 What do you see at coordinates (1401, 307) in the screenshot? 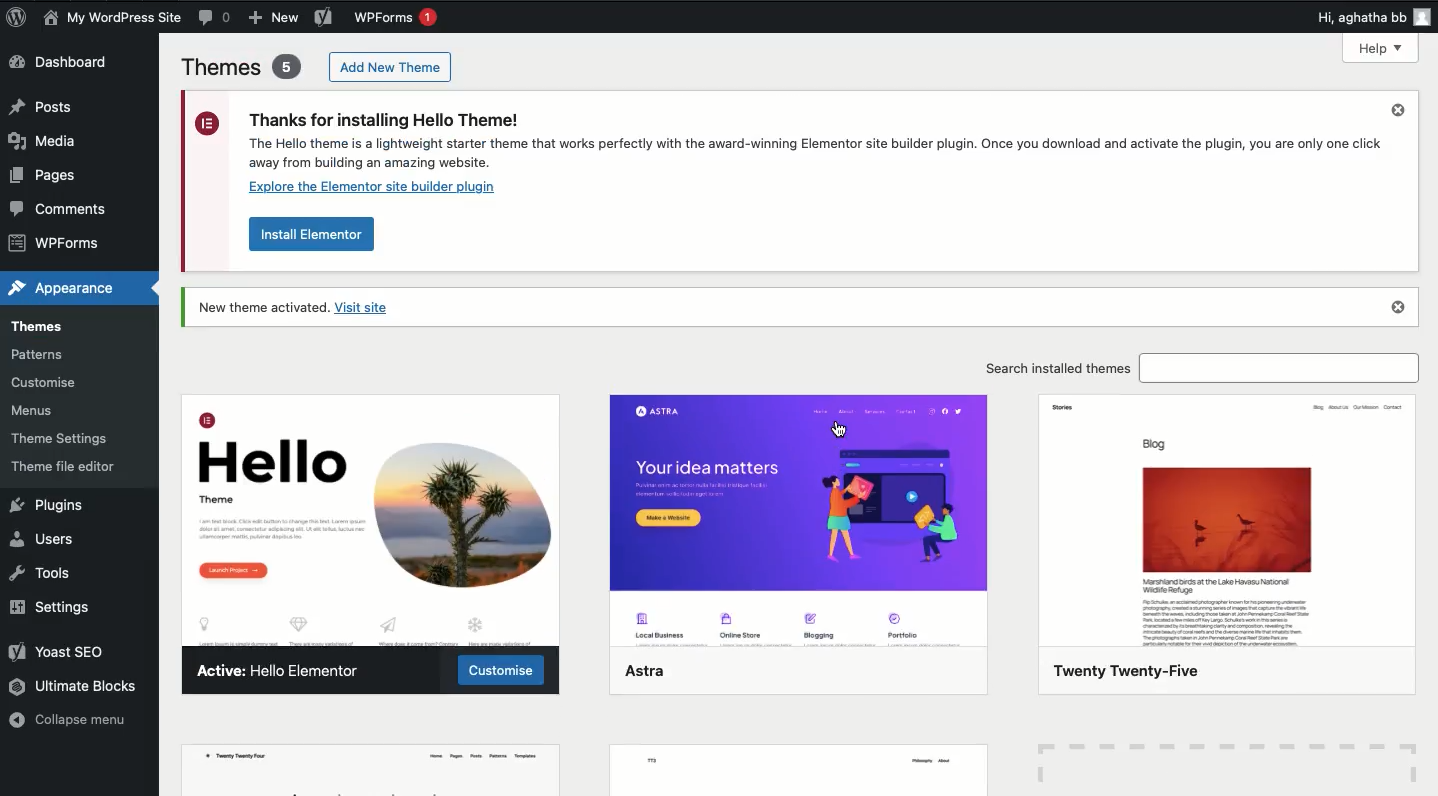
I see `Close` at bounding box center [1401, 307].